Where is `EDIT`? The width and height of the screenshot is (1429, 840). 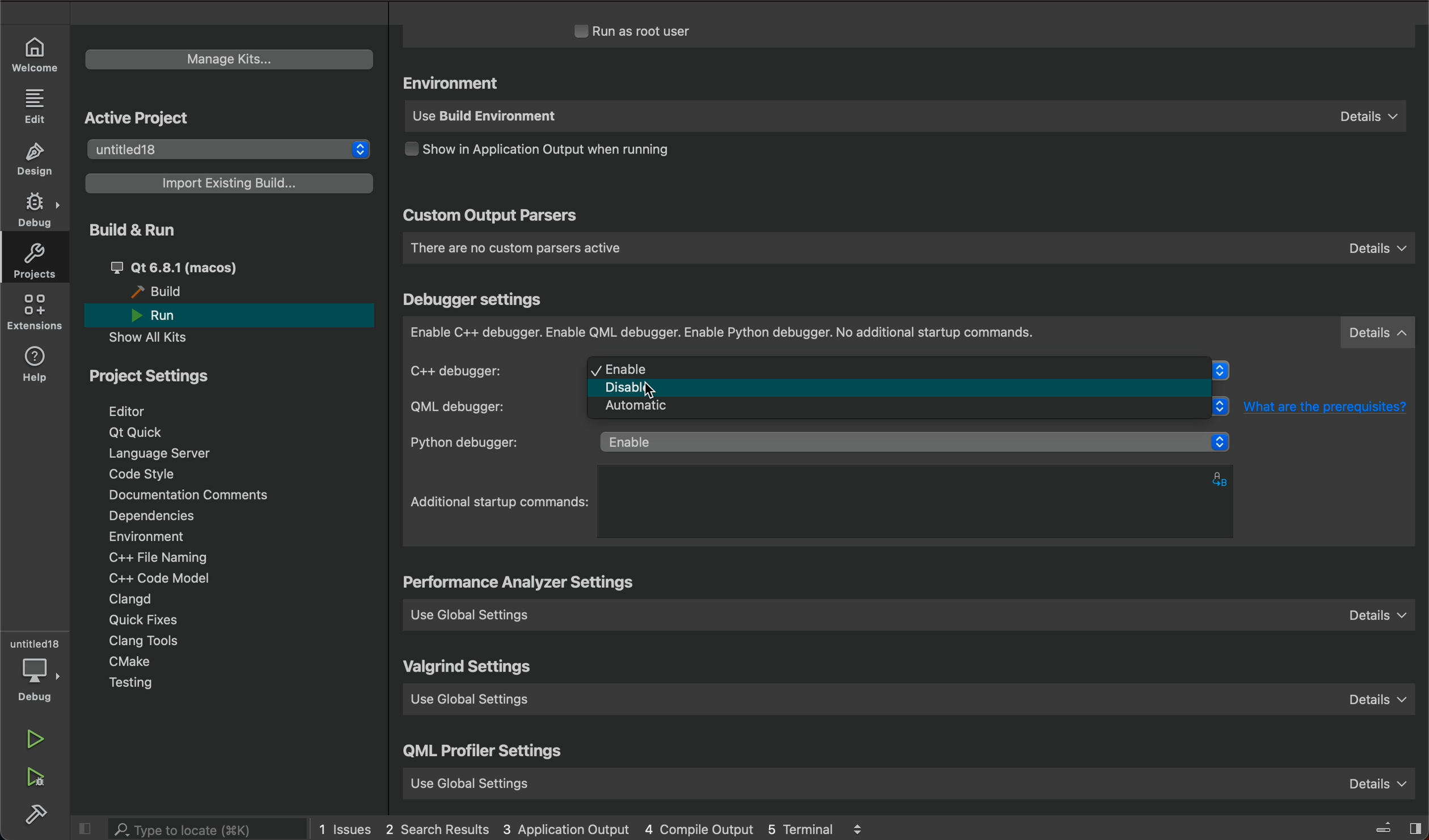
EDIT is located at coordinates (37, 105).